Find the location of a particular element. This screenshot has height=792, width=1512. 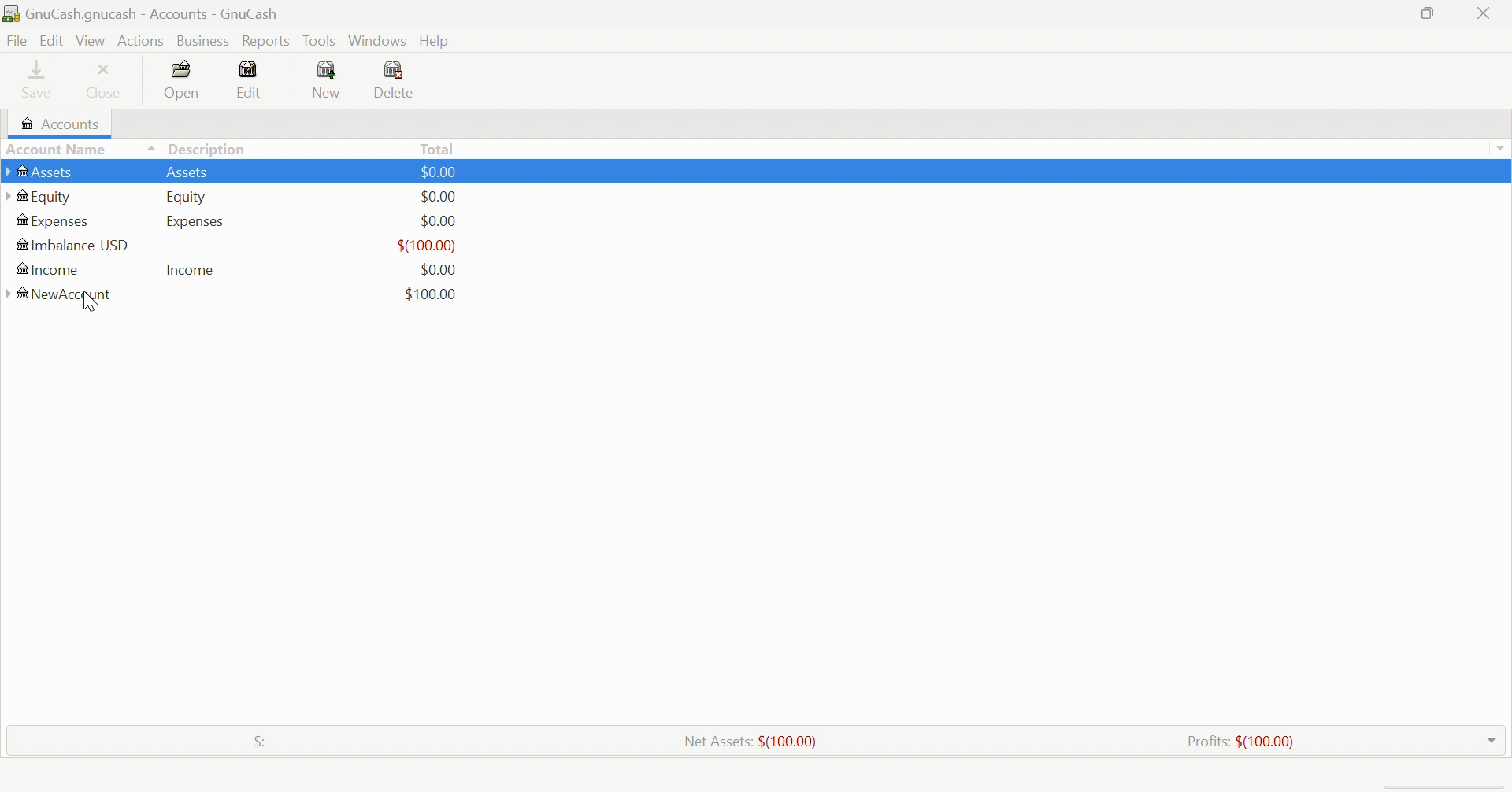

New is located at coordinates (328, 81).